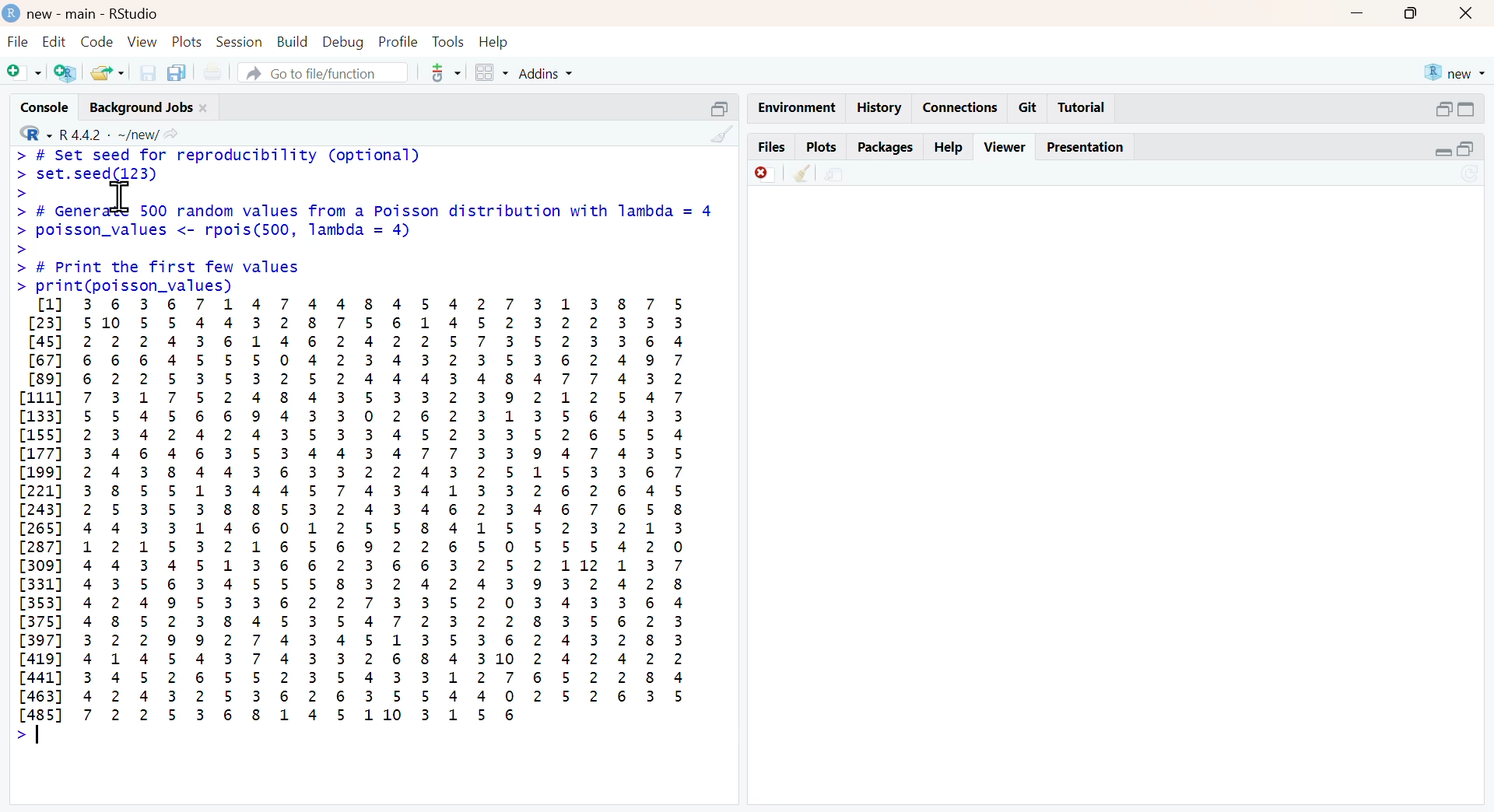 This screenshot has width=1494, height=812. I want to click on discard, so click(767, 174).